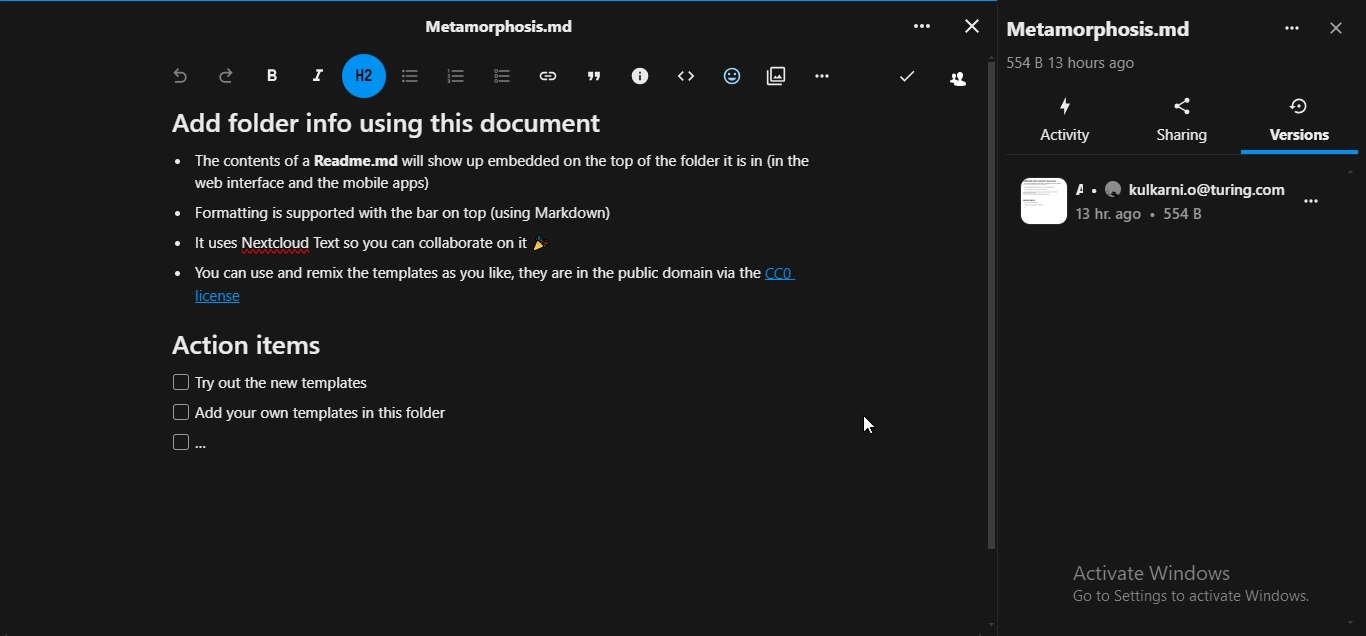 The image size is (1366, 636). What do you see at coordinates (271, 76) in the screenshot?
I see `bold` at bounding box center [271, 76].